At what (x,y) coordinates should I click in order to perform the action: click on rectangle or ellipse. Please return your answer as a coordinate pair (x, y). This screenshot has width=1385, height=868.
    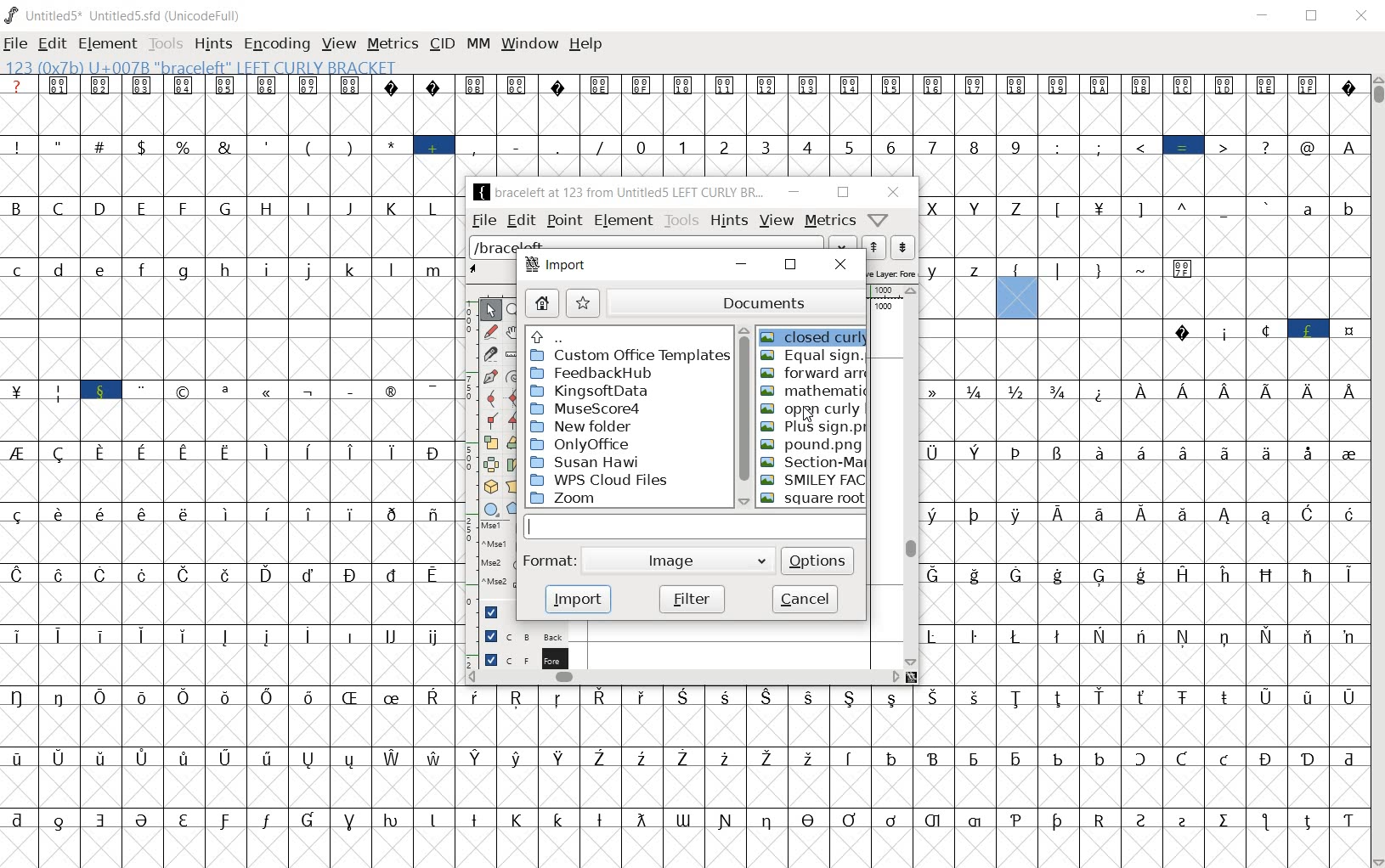
    Looking at the image, I should click on (489, 510).